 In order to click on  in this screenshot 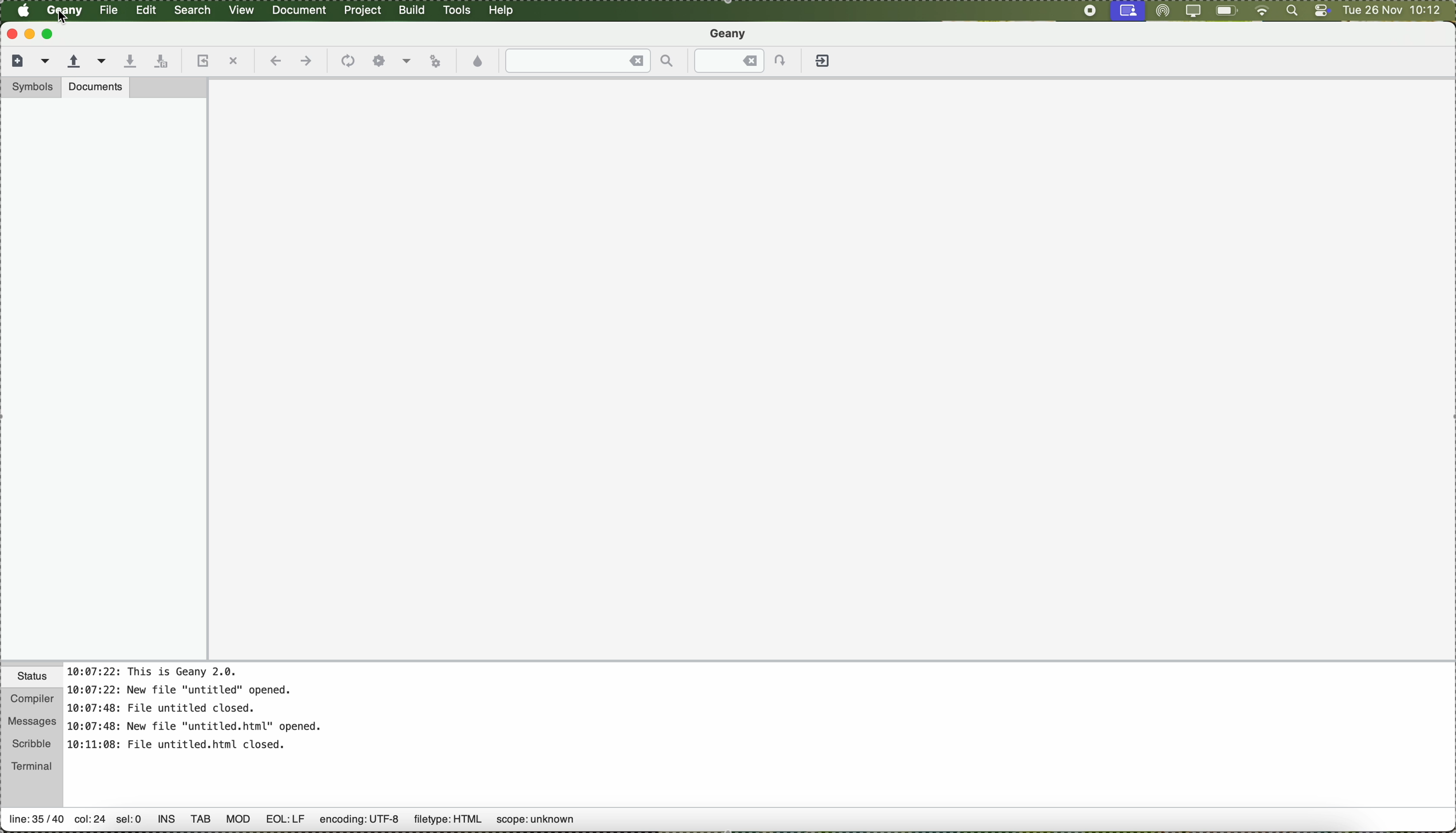, I will do `click(238, 823)`.